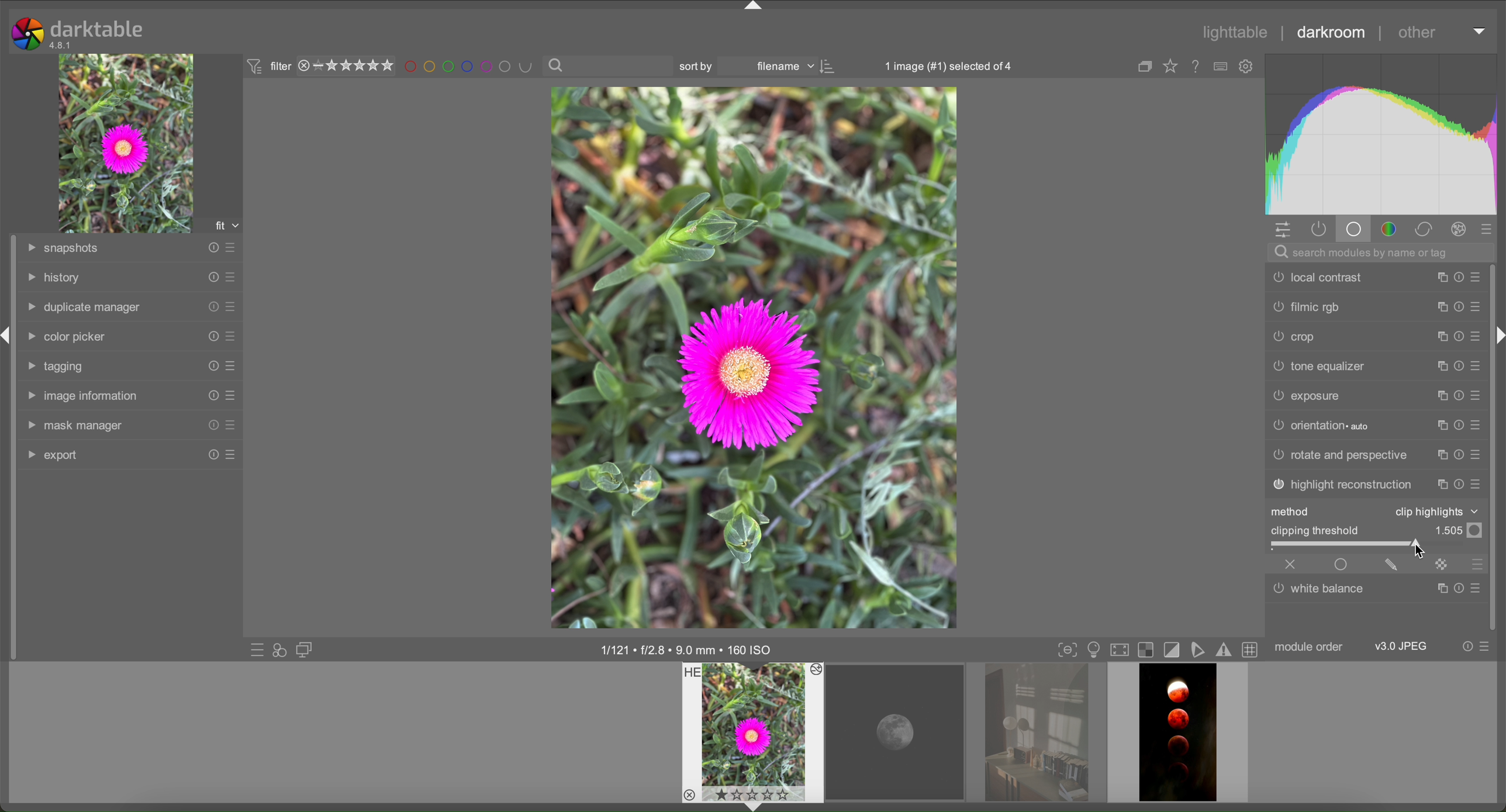  Describe the element at coordinates (58, 367) in the screenshot. I see `tagging tab` at that location.